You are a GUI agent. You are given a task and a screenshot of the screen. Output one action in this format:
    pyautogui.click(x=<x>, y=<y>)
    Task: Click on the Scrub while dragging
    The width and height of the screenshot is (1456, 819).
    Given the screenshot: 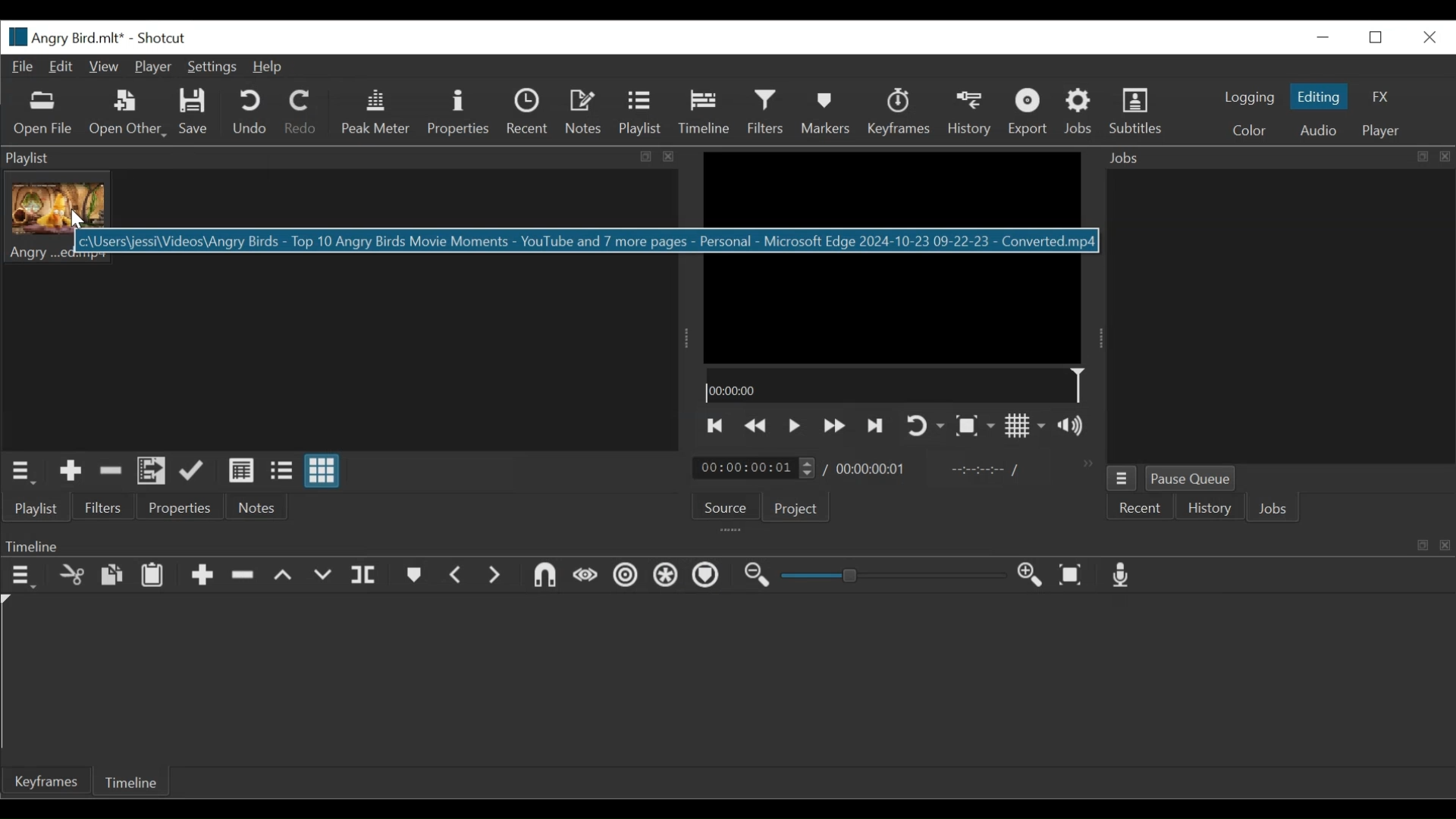 What is the action you would take?
    pyautogui.click(x=585, y=576)
    